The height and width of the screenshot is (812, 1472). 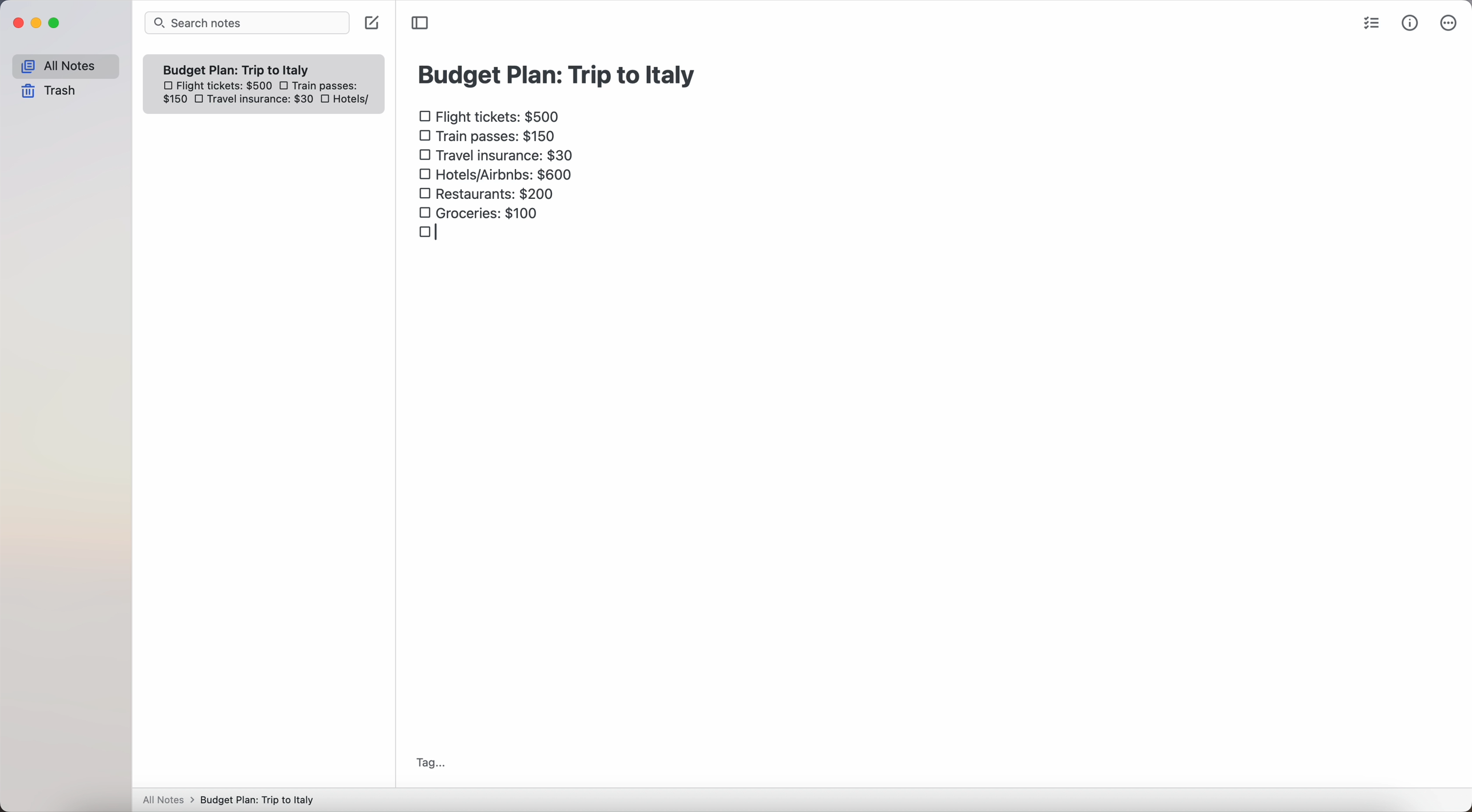 I want to click on budget plan: trip to Italy, so click(x=559, y=73).